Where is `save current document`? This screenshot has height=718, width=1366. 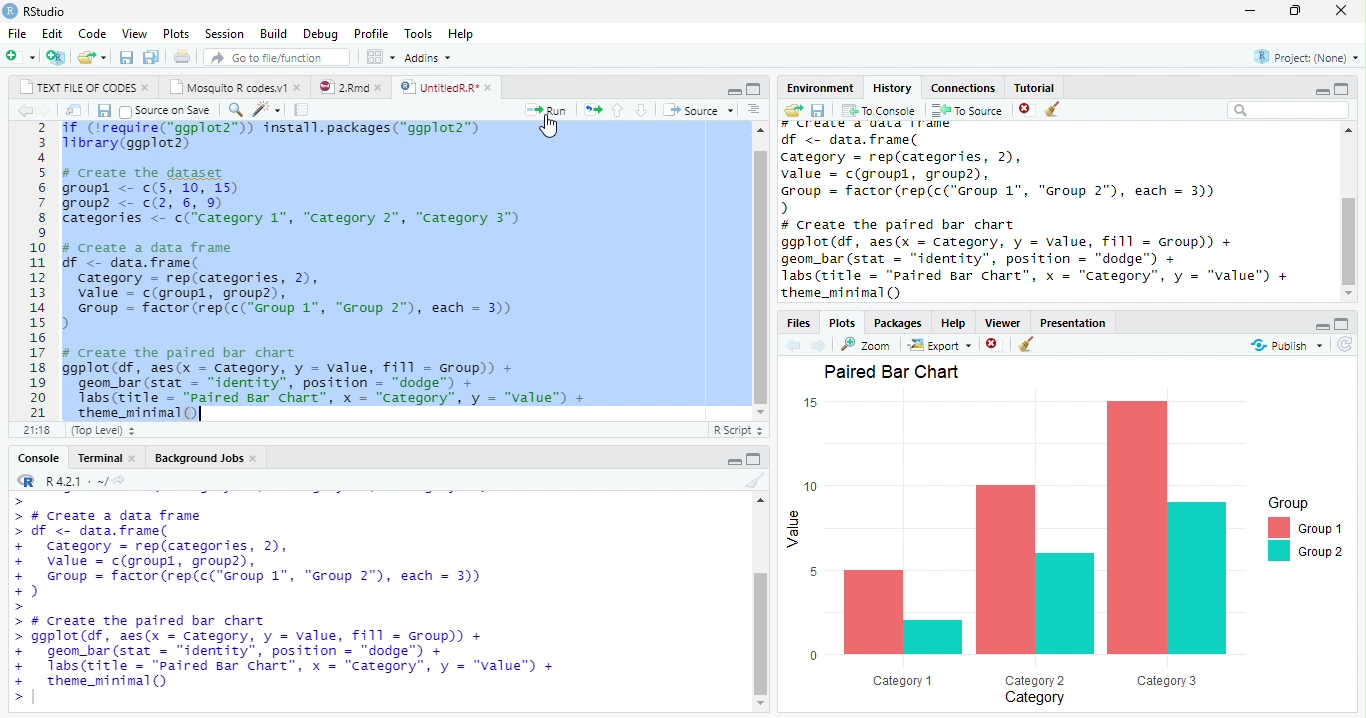 save current document is located at coordinates (105, 110).